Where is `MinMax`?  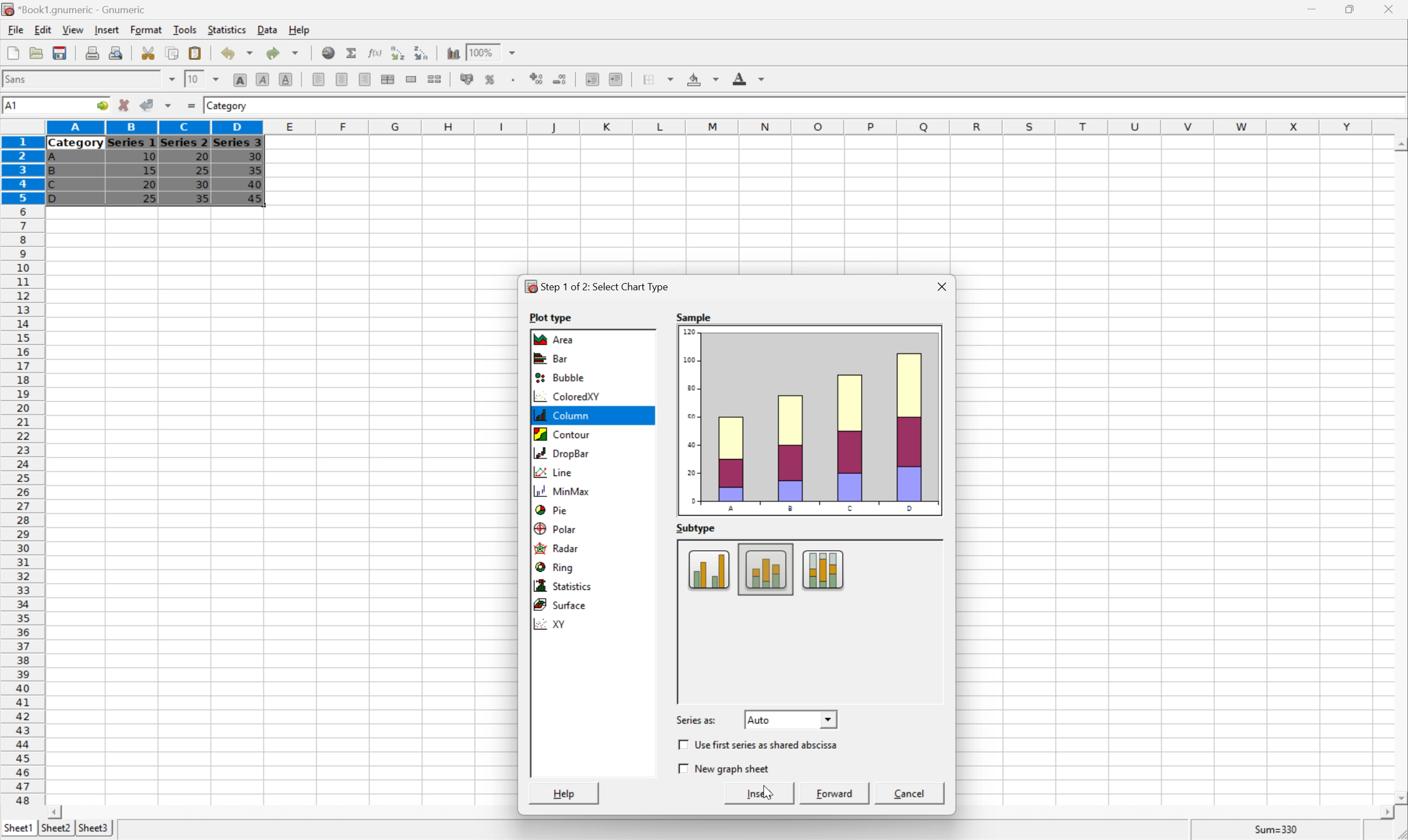 MinMax is located at coordinates (565, 491).